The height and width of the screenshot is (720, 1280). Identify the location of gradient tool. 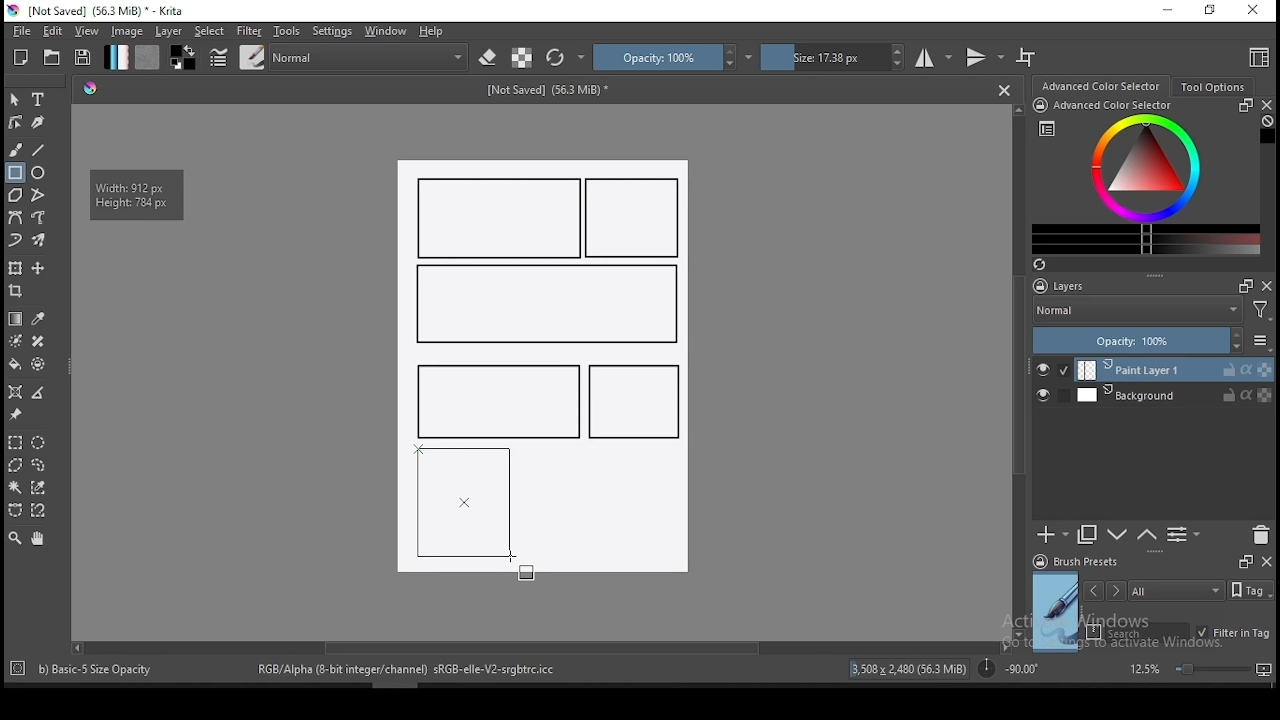
(16, 319).